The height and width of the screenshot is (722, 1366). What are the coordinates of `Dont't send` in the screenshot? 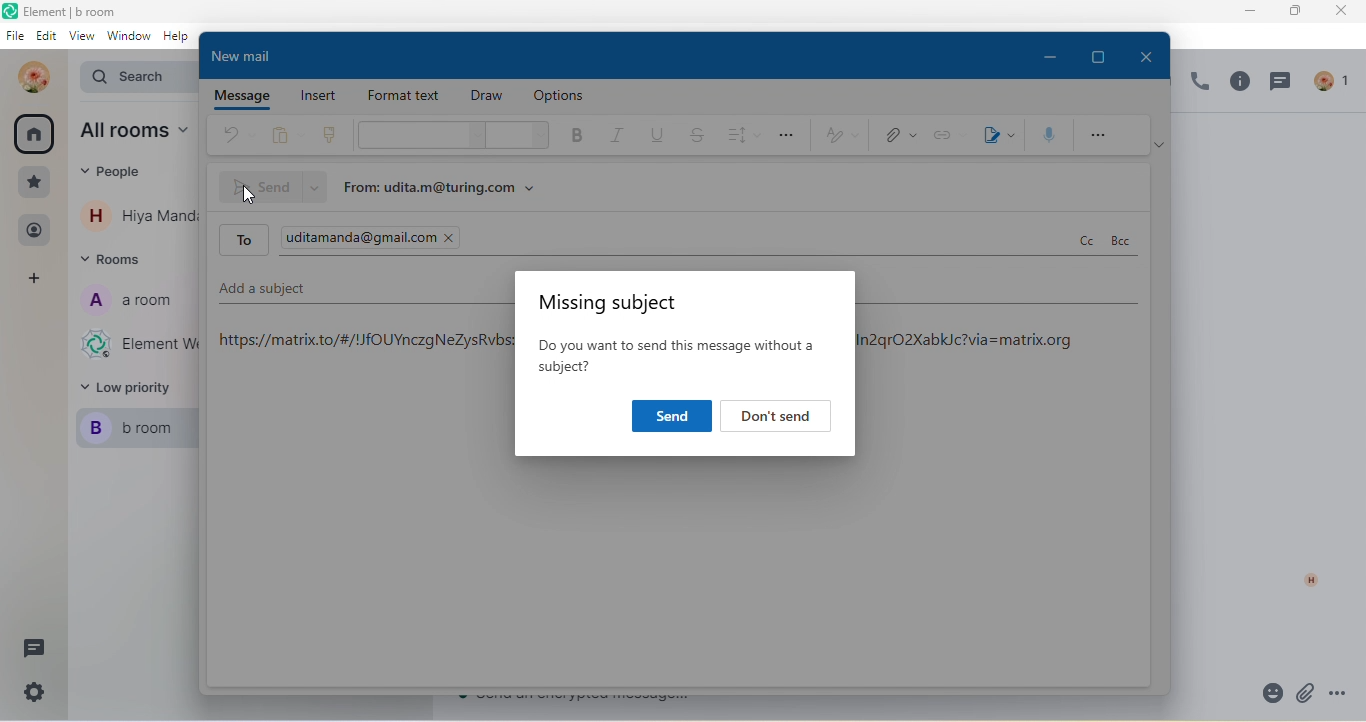 It's located at (770, 416).